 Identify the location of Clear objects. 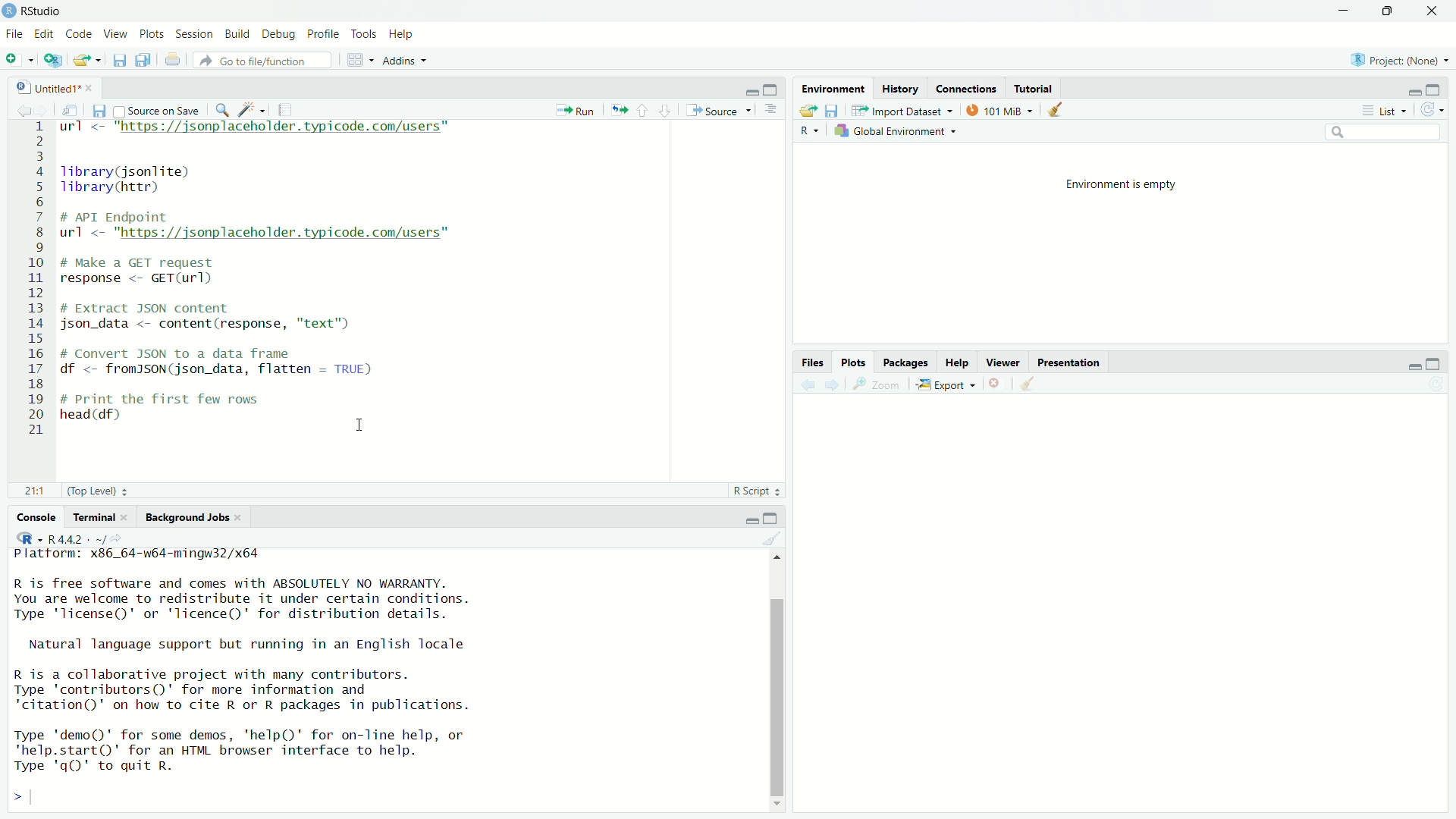
(1028, 385).